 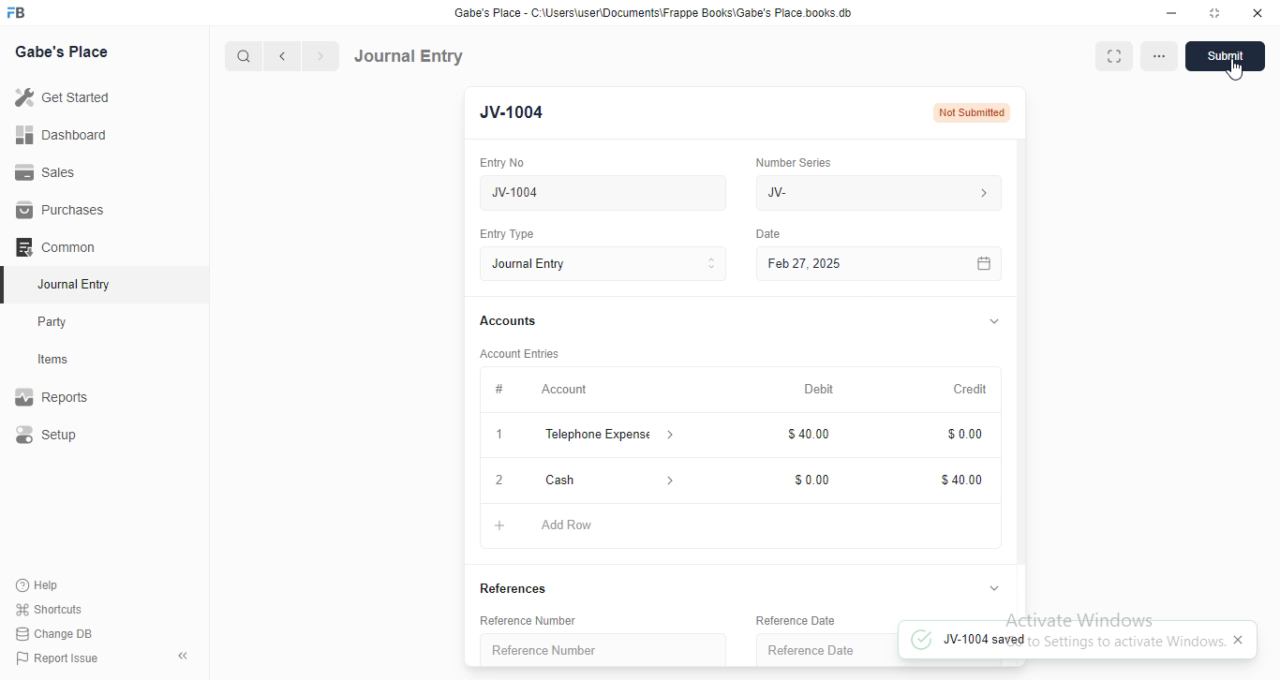 What do you see at coordinates (70, 284) in the screenshot?
I see `Journal Entry` at bounding box center [70, 284].